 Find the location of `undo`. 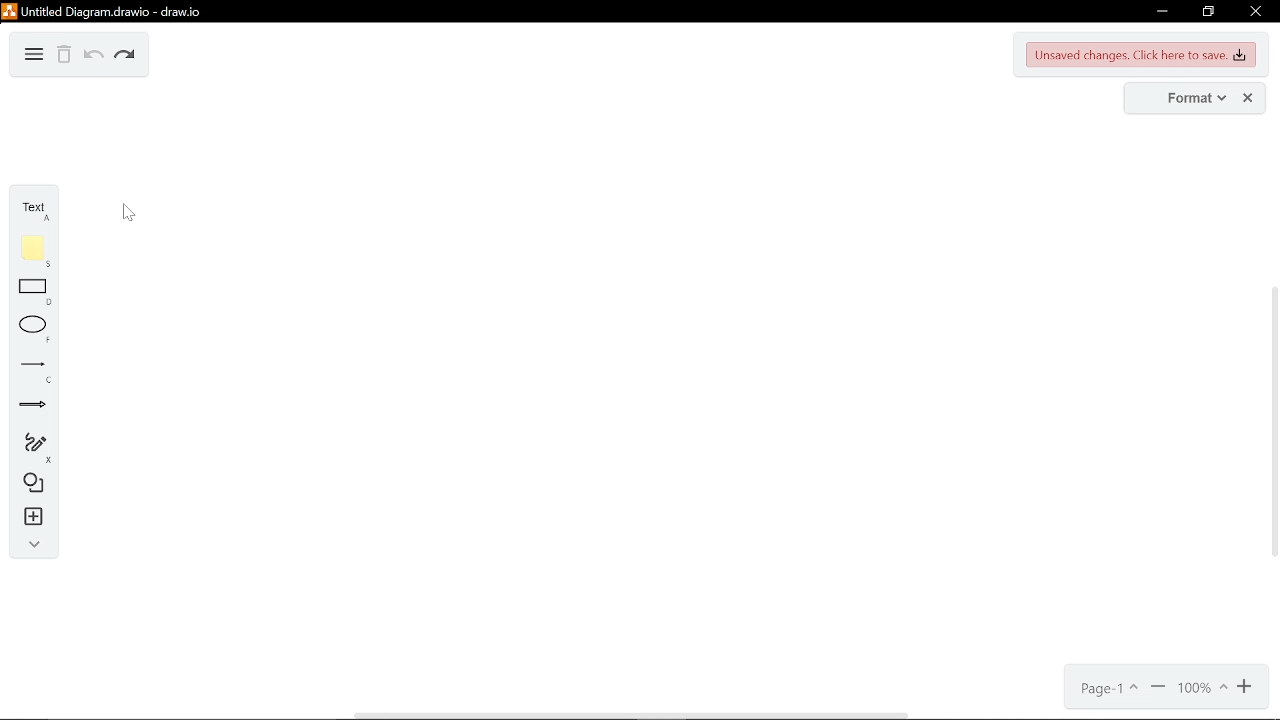

undo is located at coordinates (94, 55).